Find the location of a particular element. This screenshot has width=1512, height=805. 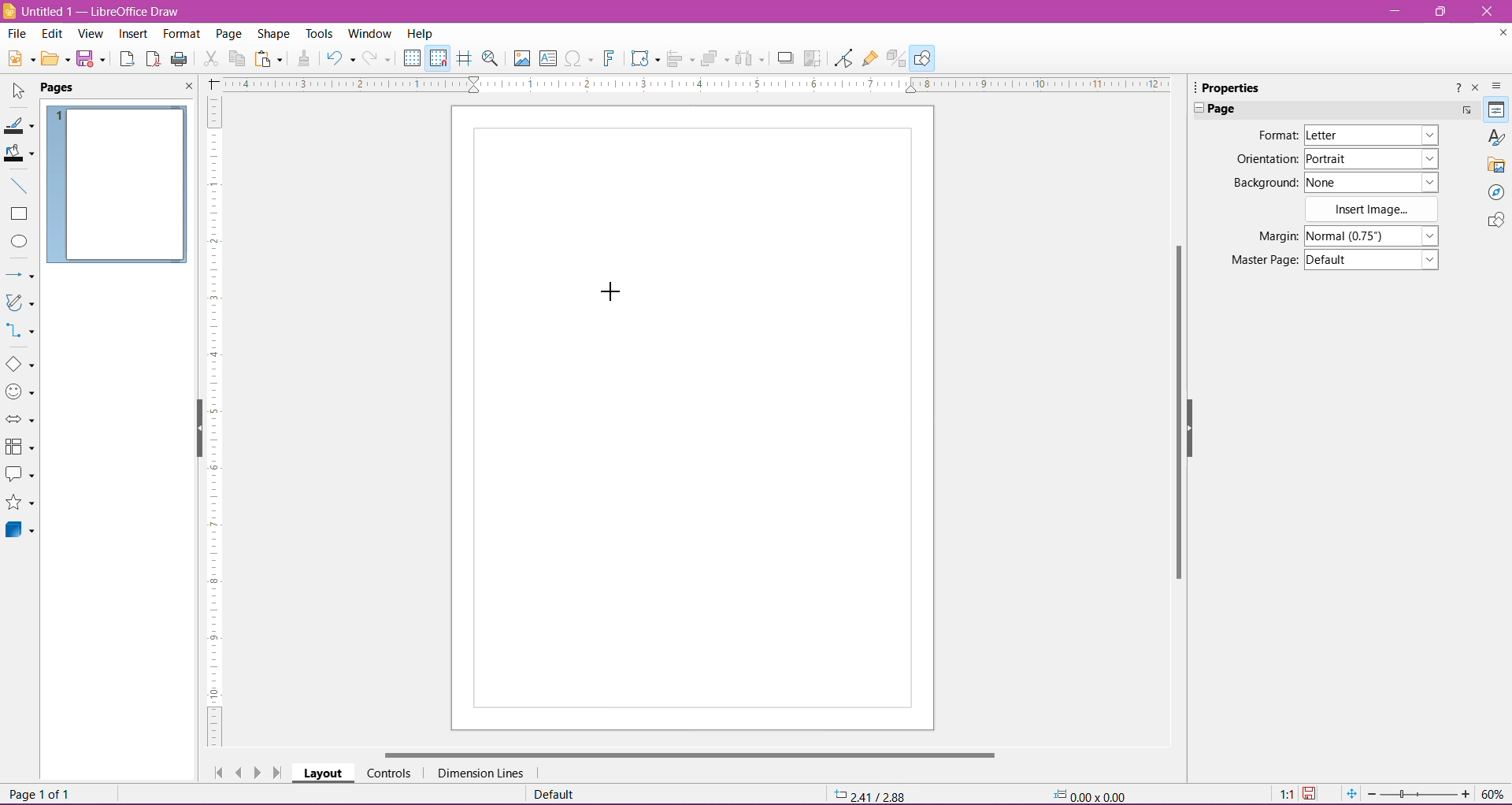

Dimension Lines is located at coordinates (482, 773).